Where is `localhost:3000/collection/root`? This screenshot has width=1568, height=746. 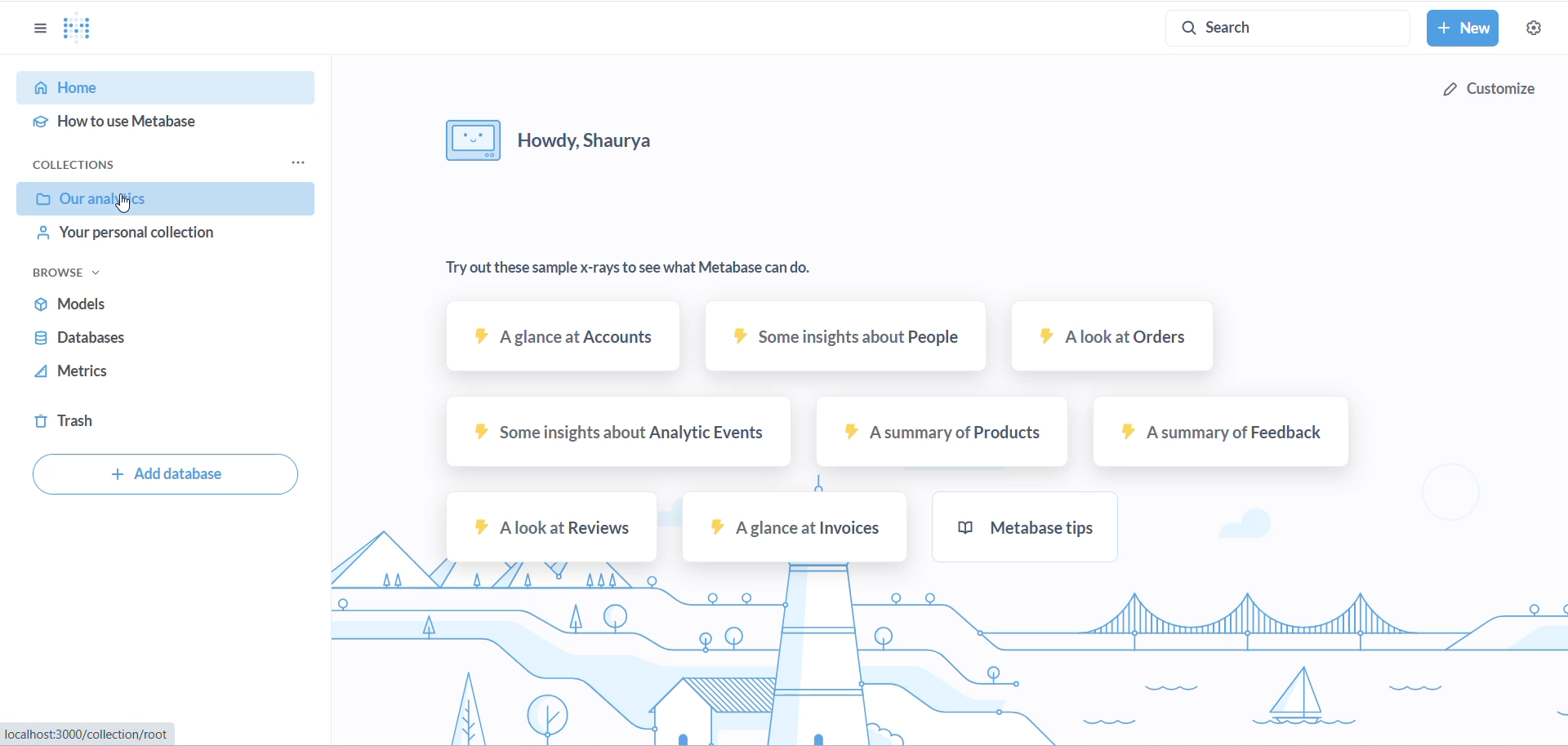 localhost:3000/collection/root is located at coordinates (84, 736).